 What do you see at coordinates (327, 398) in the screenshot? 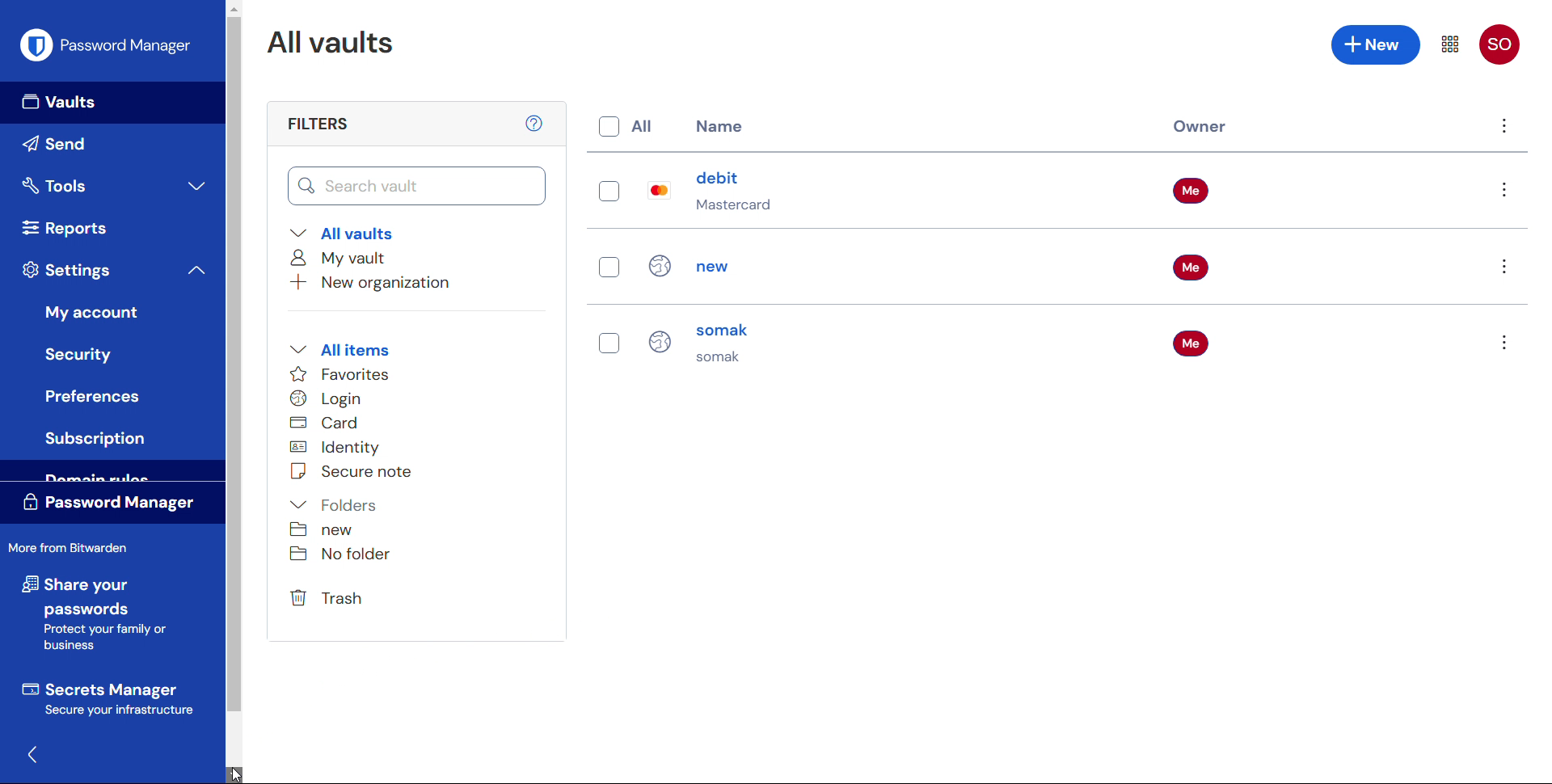
I see `Login ` at bounding box center [327, 398].